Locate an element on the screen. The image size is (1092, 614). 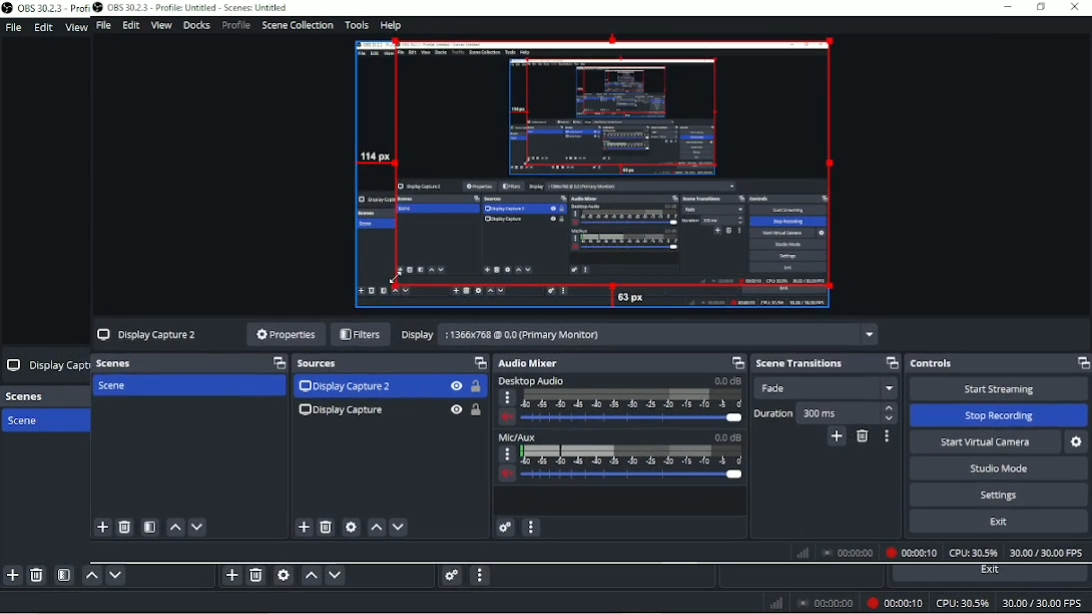
Sources is located at coordinates (328, 363).